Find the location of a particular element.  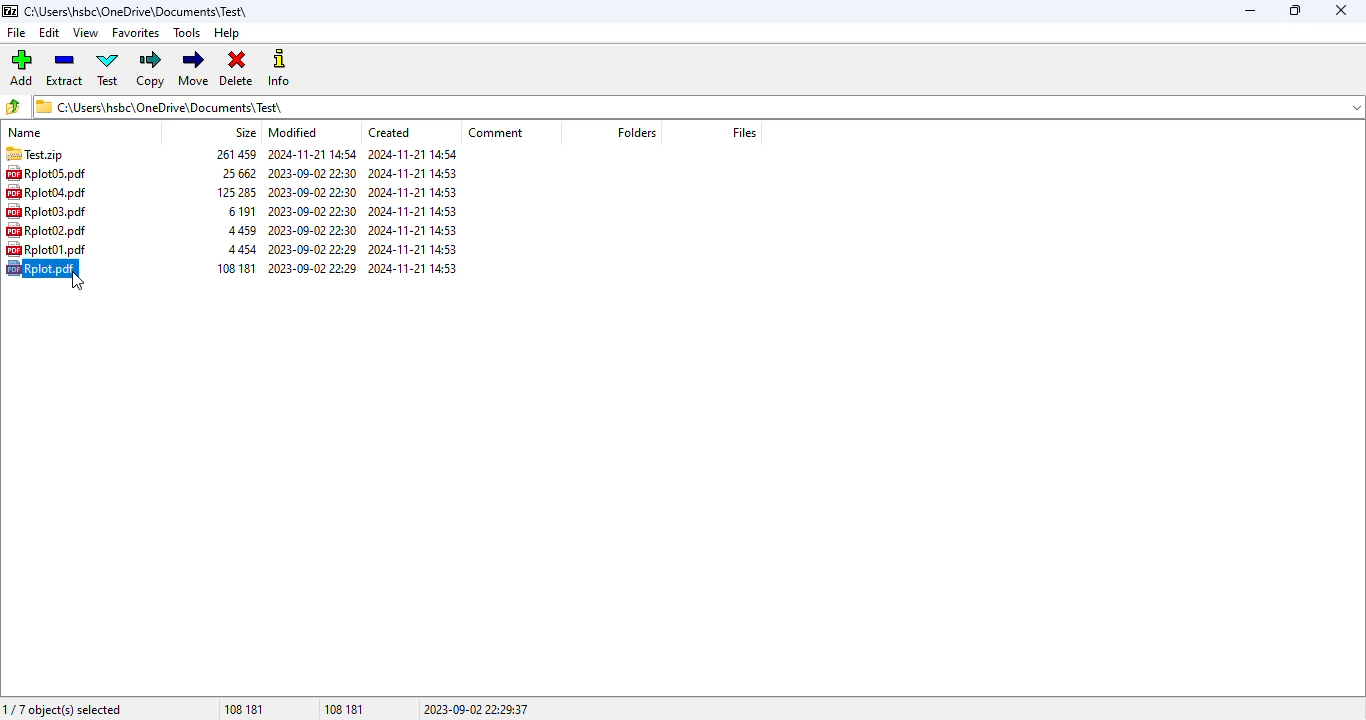

delete is located at coordinates (236, 69).